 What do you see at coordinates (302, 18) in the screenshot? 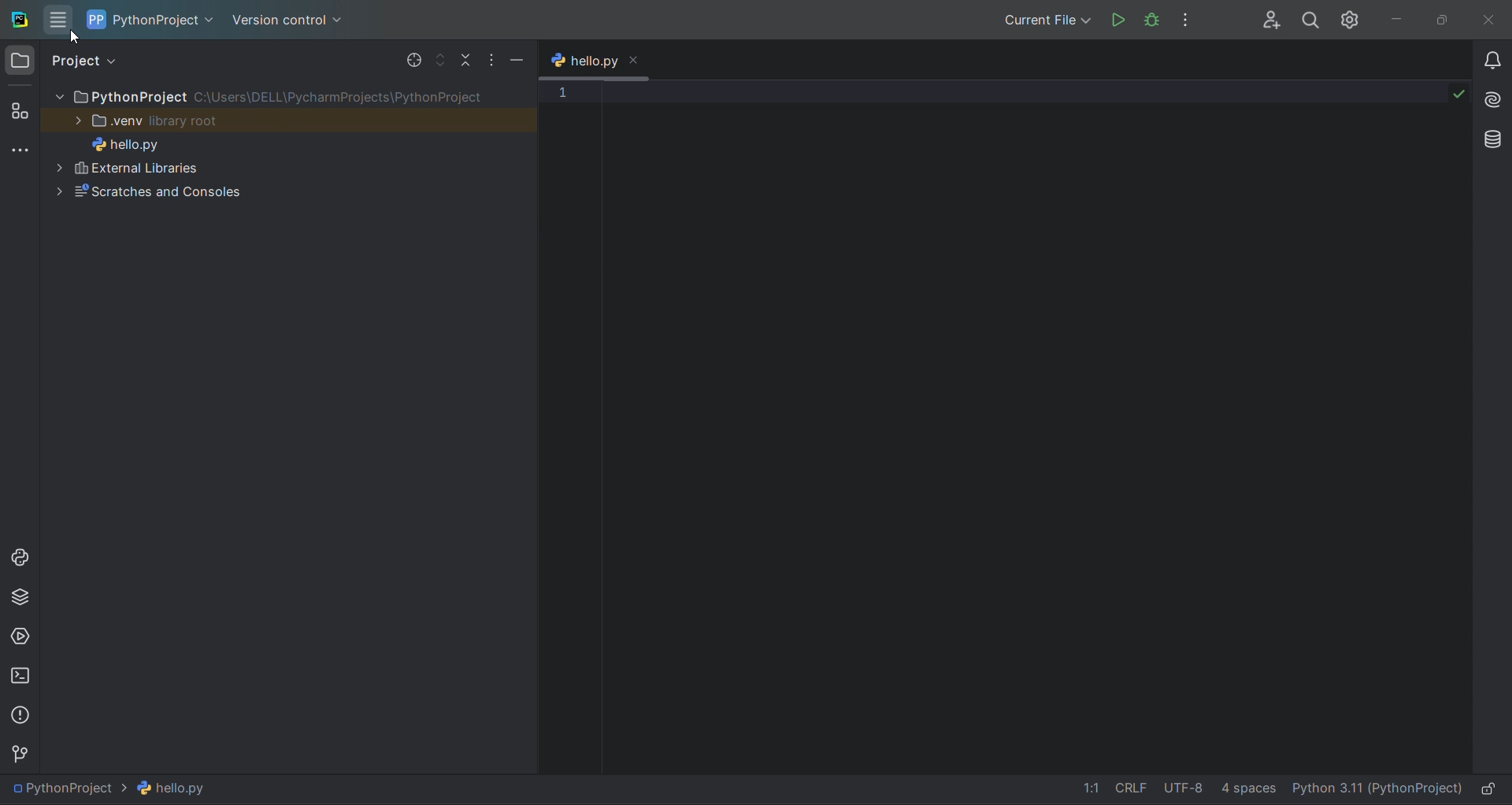
I see `version control` at bounding box center [302, 18].